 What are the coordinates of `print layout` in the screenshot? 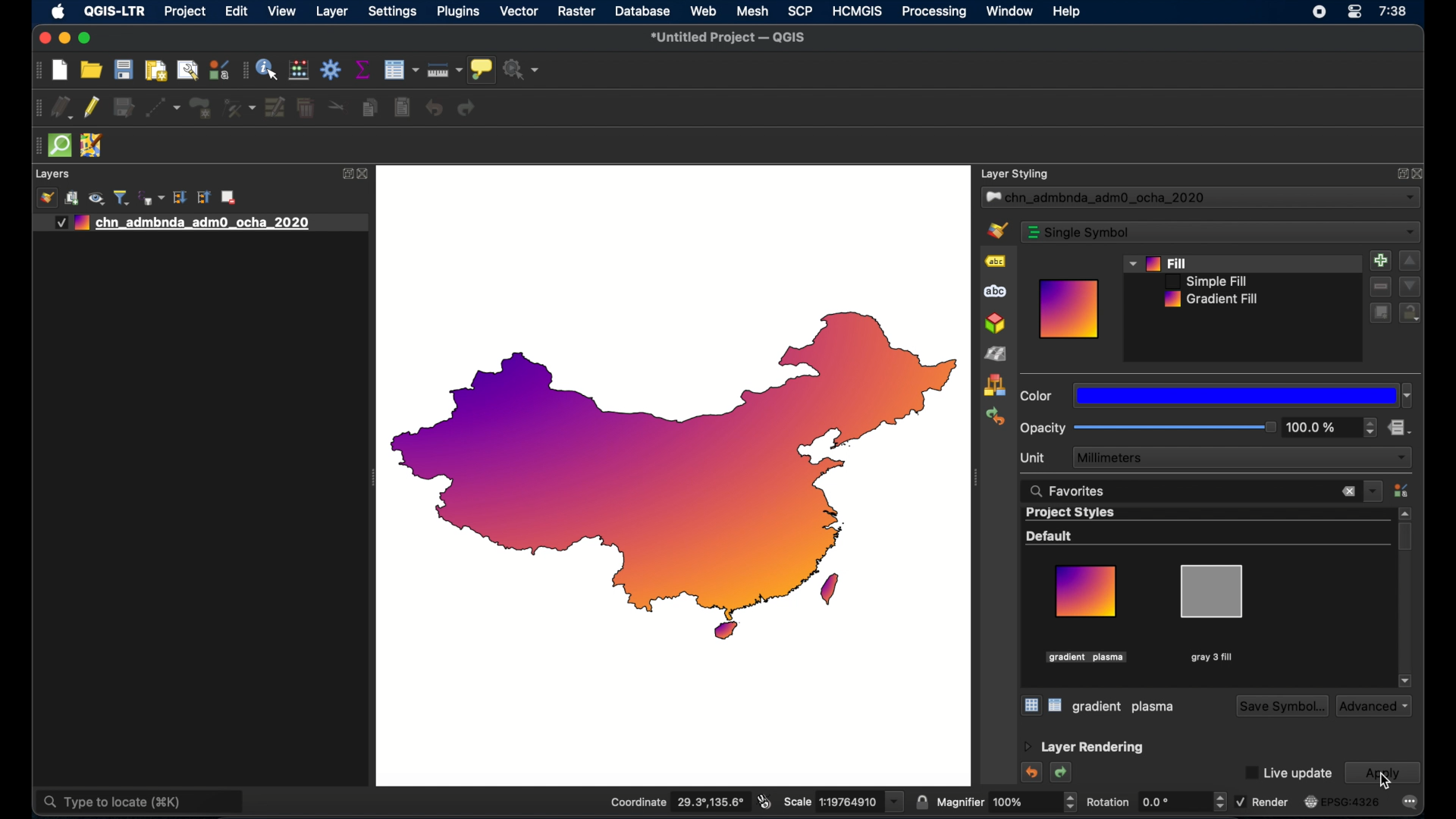 It's located at (155, 70).